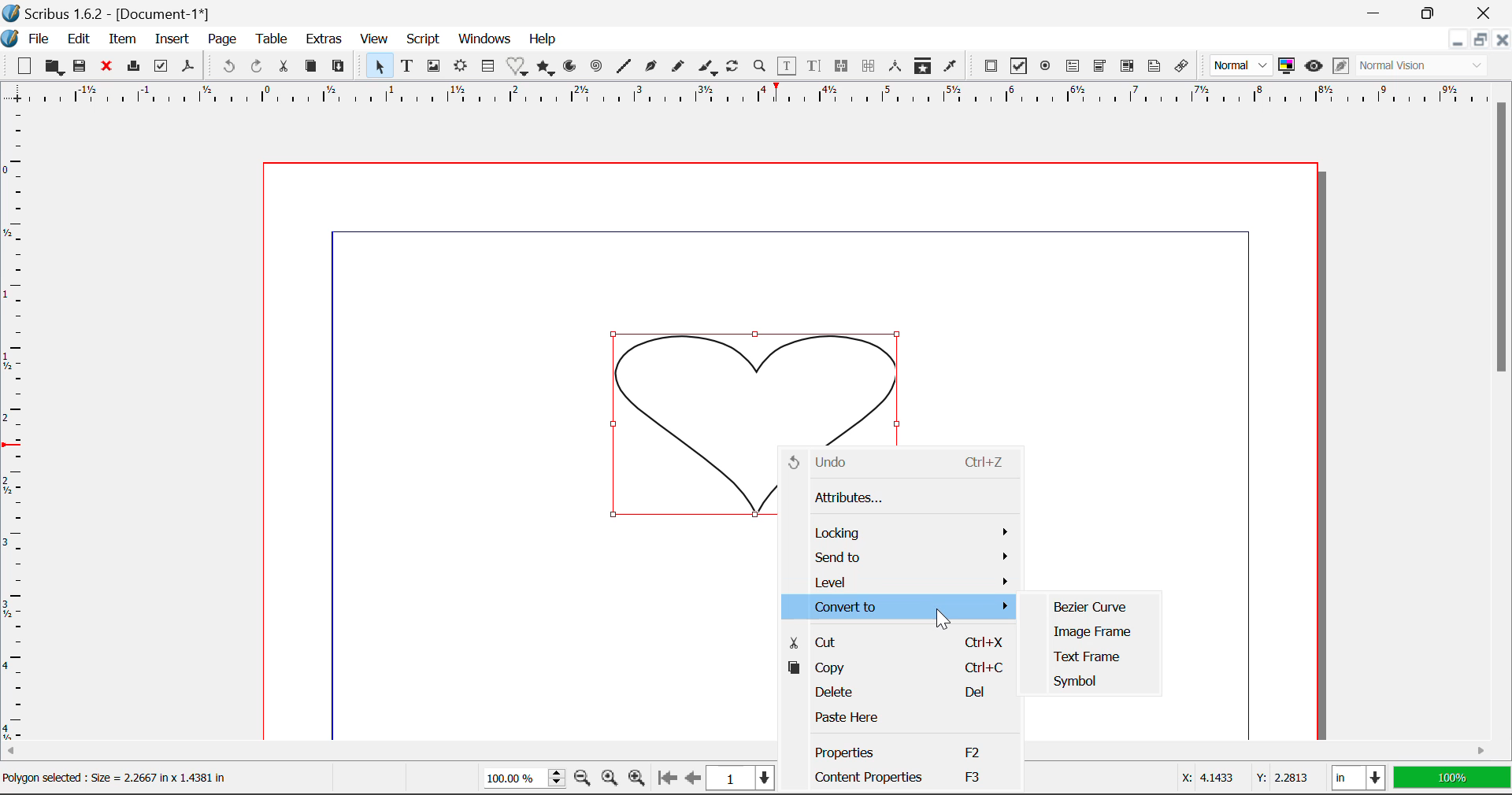 Image resolution: width=1512 pixels, height=795 pixels. I want to click on 100%, so click(520, 780).